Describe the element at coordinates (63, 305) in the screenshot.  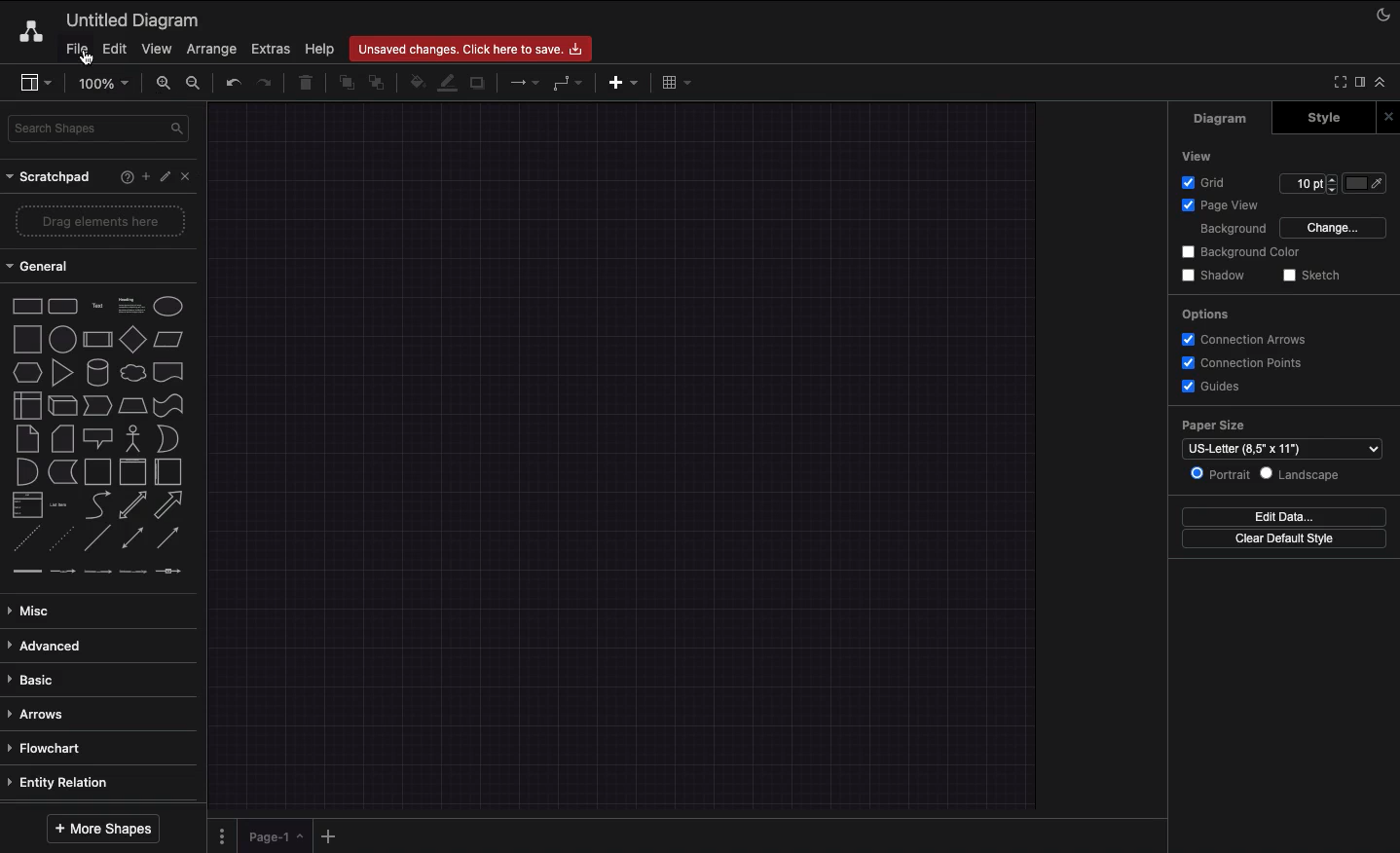
I see `Rounded rectangle` at that location.